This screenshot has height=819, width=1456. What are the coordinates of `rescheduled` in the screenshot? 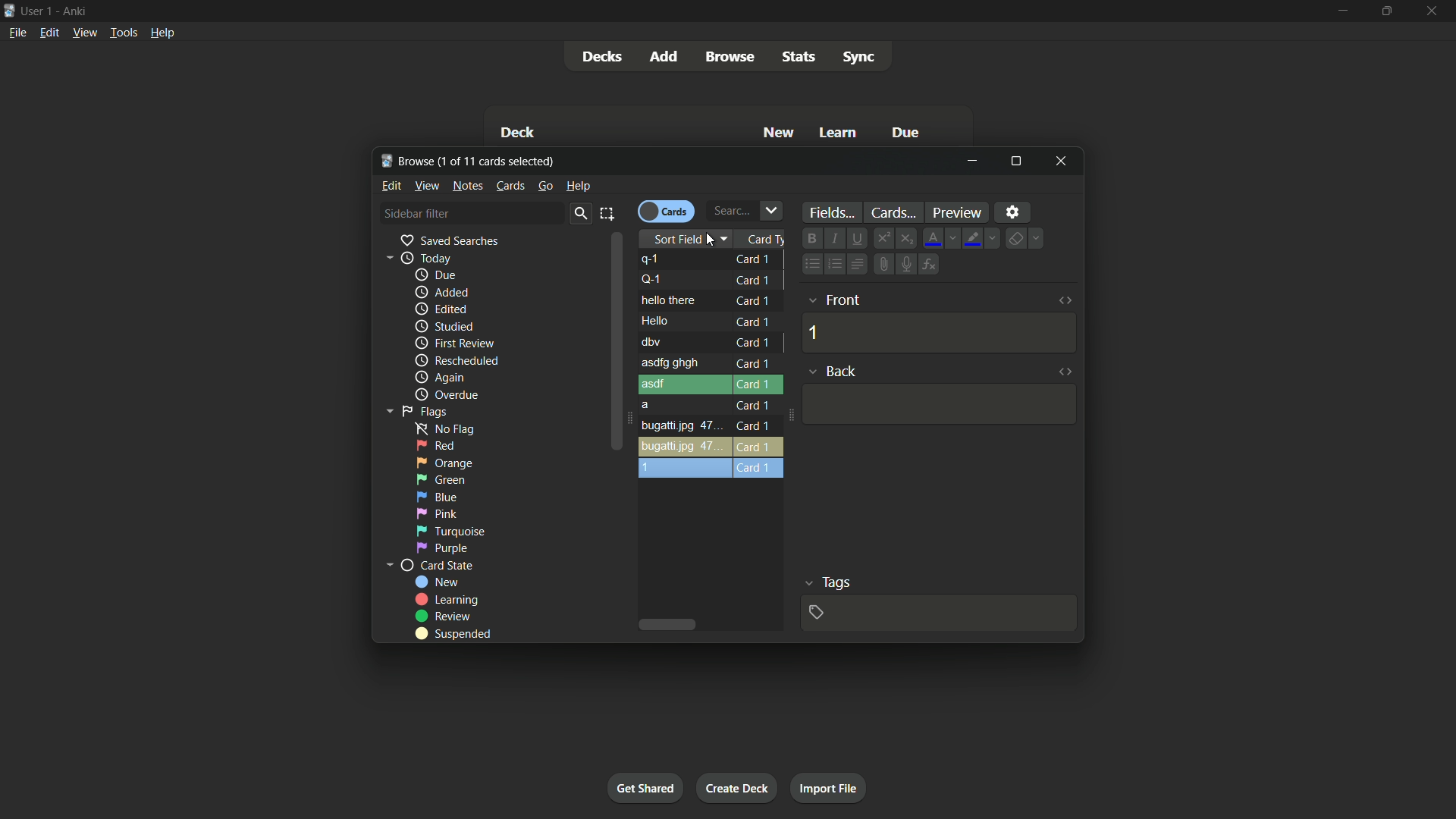 It's located at (457, 361).